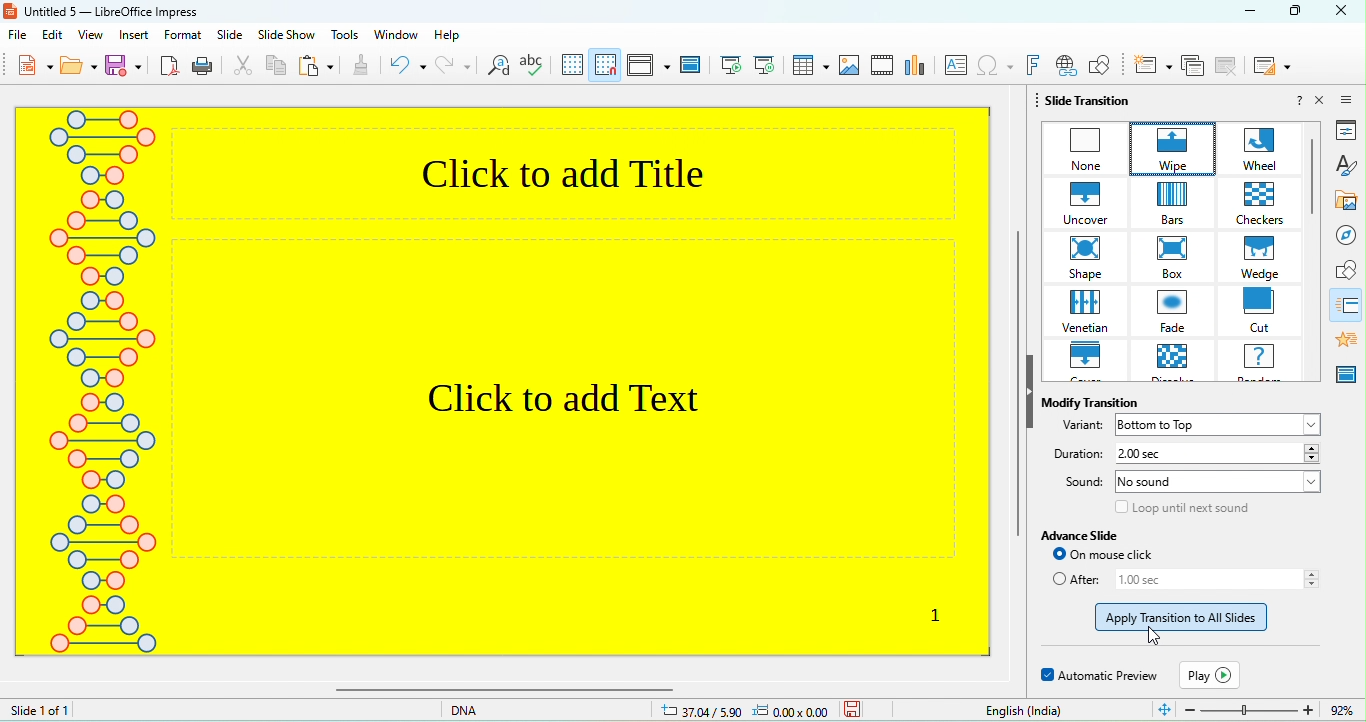 This screenshot has width=1366, height=722. Describe the element at coordinates (279, 66) in the screenshot. I see `copy` at that location.